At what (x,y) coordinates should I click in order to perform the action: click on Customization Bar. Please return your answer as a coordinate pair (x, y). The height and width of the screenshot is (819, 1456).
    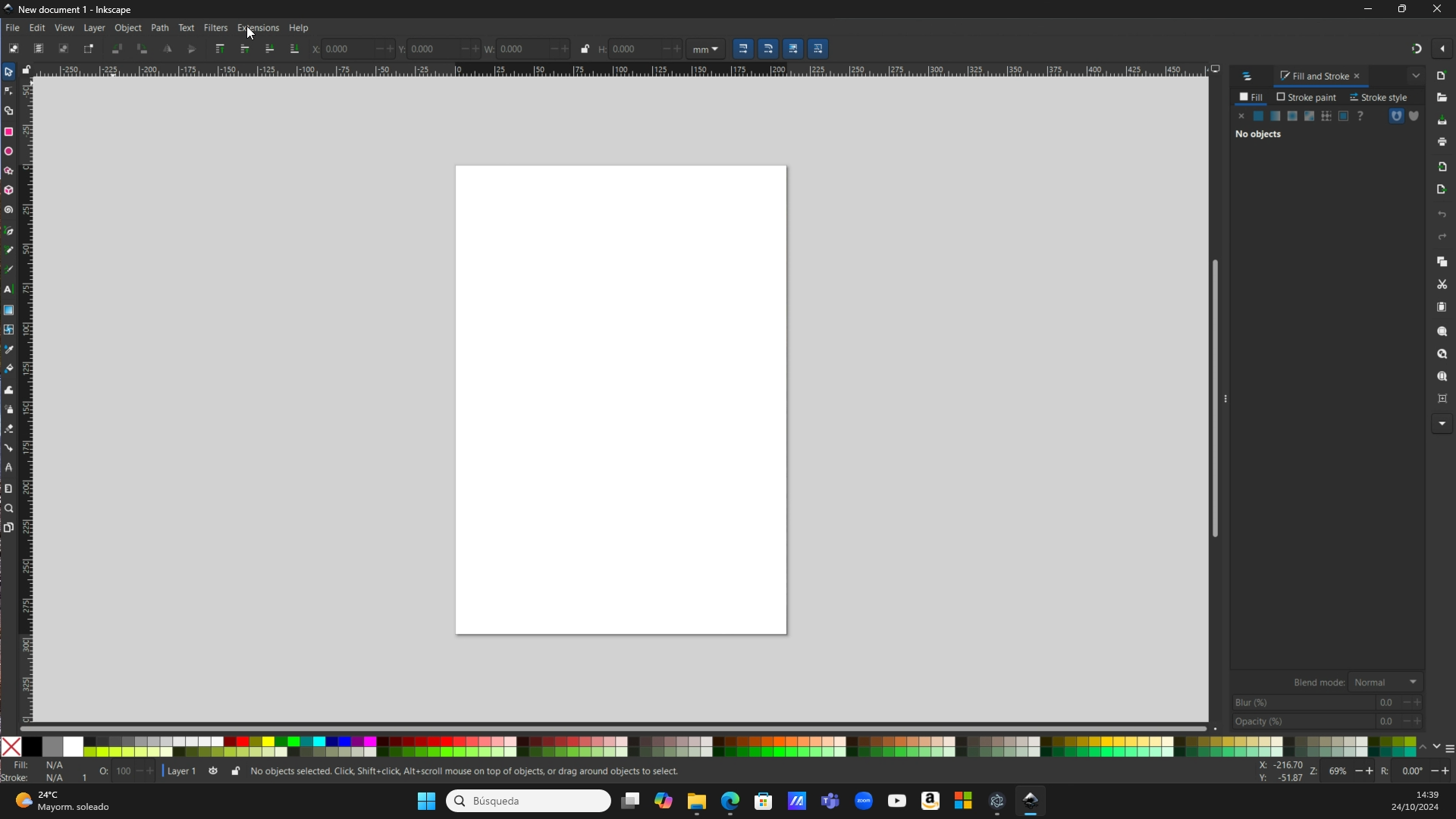
    Looking at the image, I should click on (12, 300).